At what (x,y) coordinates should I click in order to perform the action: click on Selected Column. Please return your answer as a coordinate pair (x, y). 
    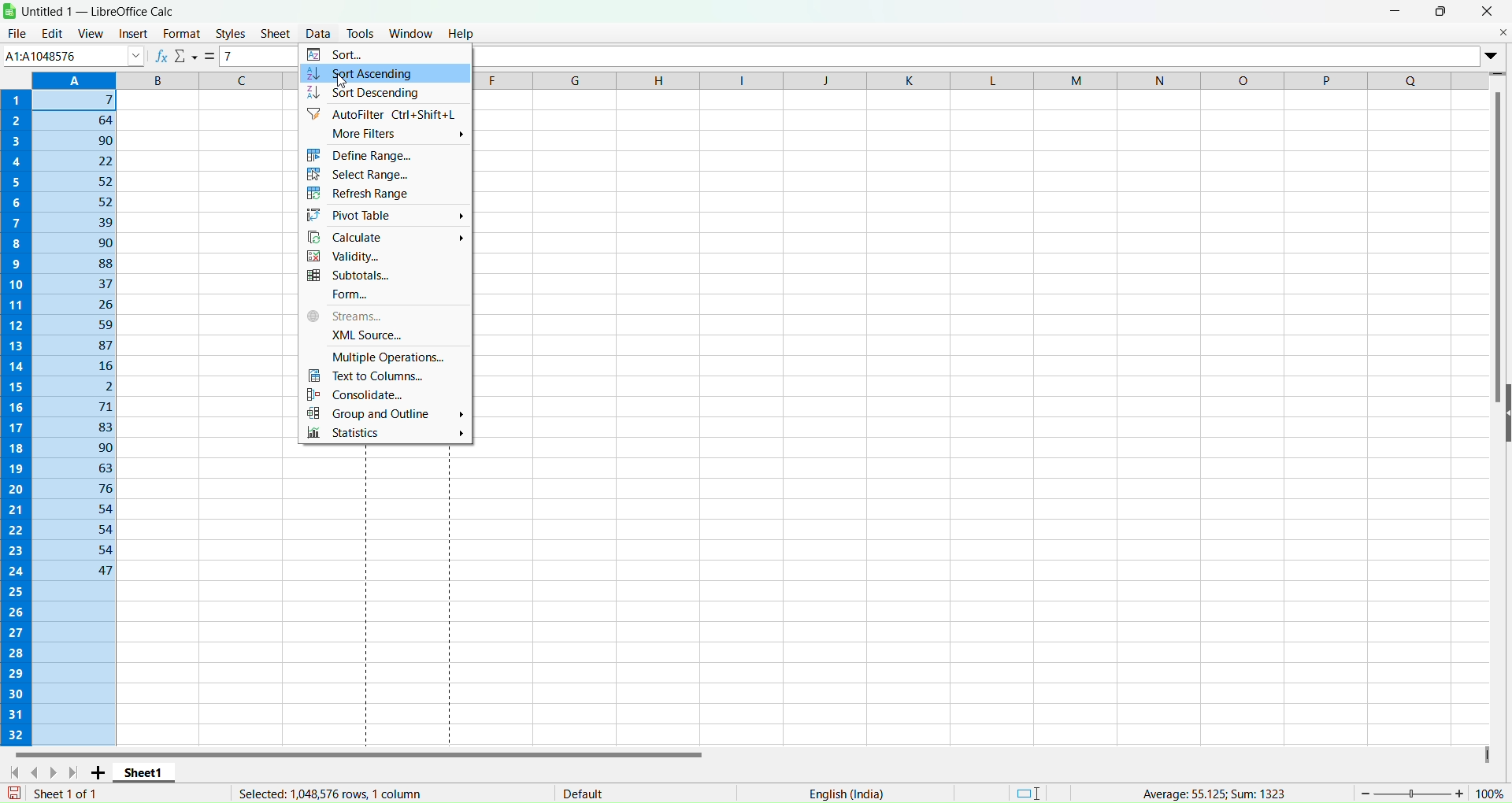
    Looking at the image, I should click on (76, 408).